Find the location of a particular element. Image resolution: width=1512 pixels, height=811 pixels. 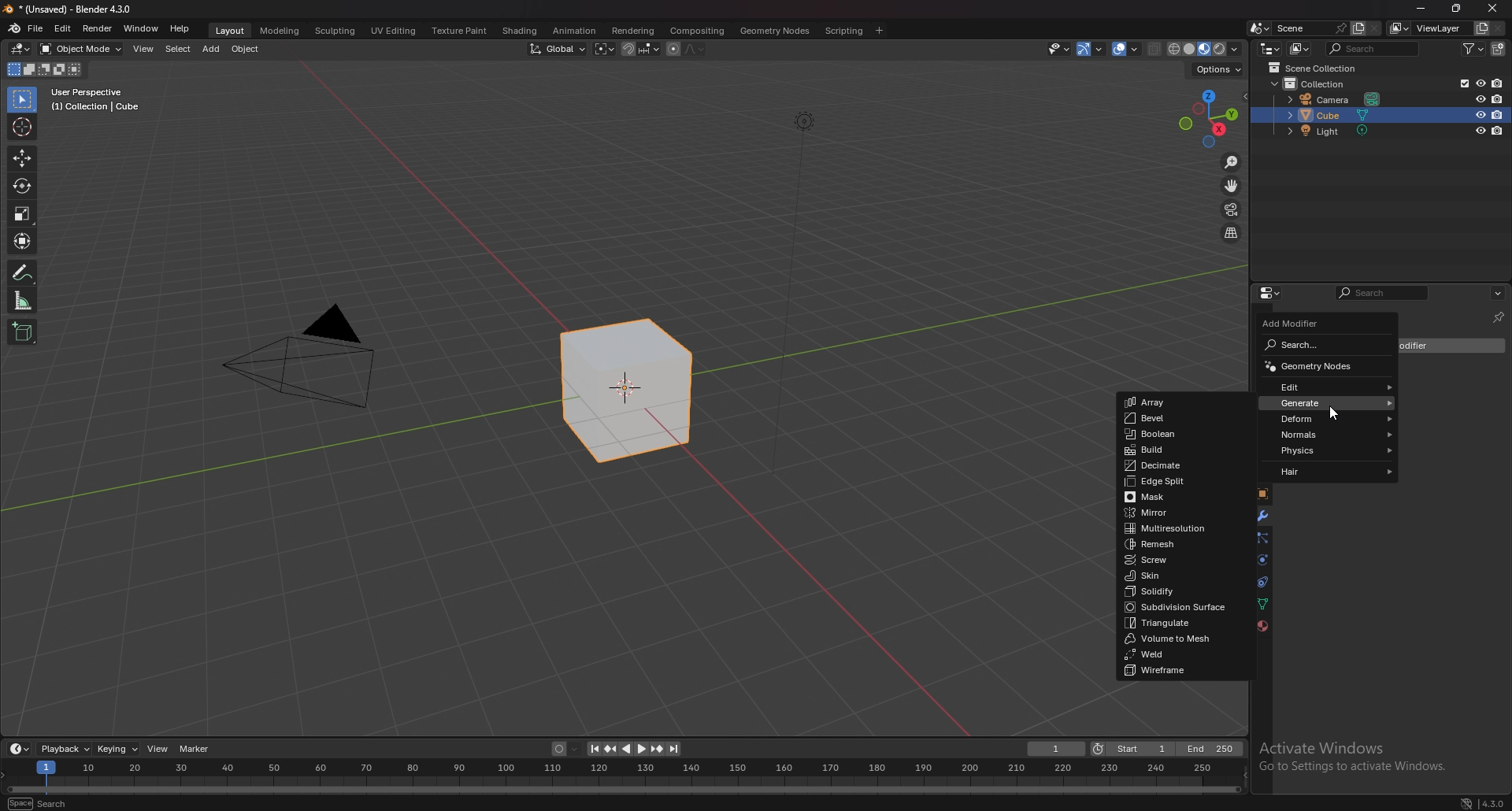

jump to endpoint is located at coordinates (676, 749).